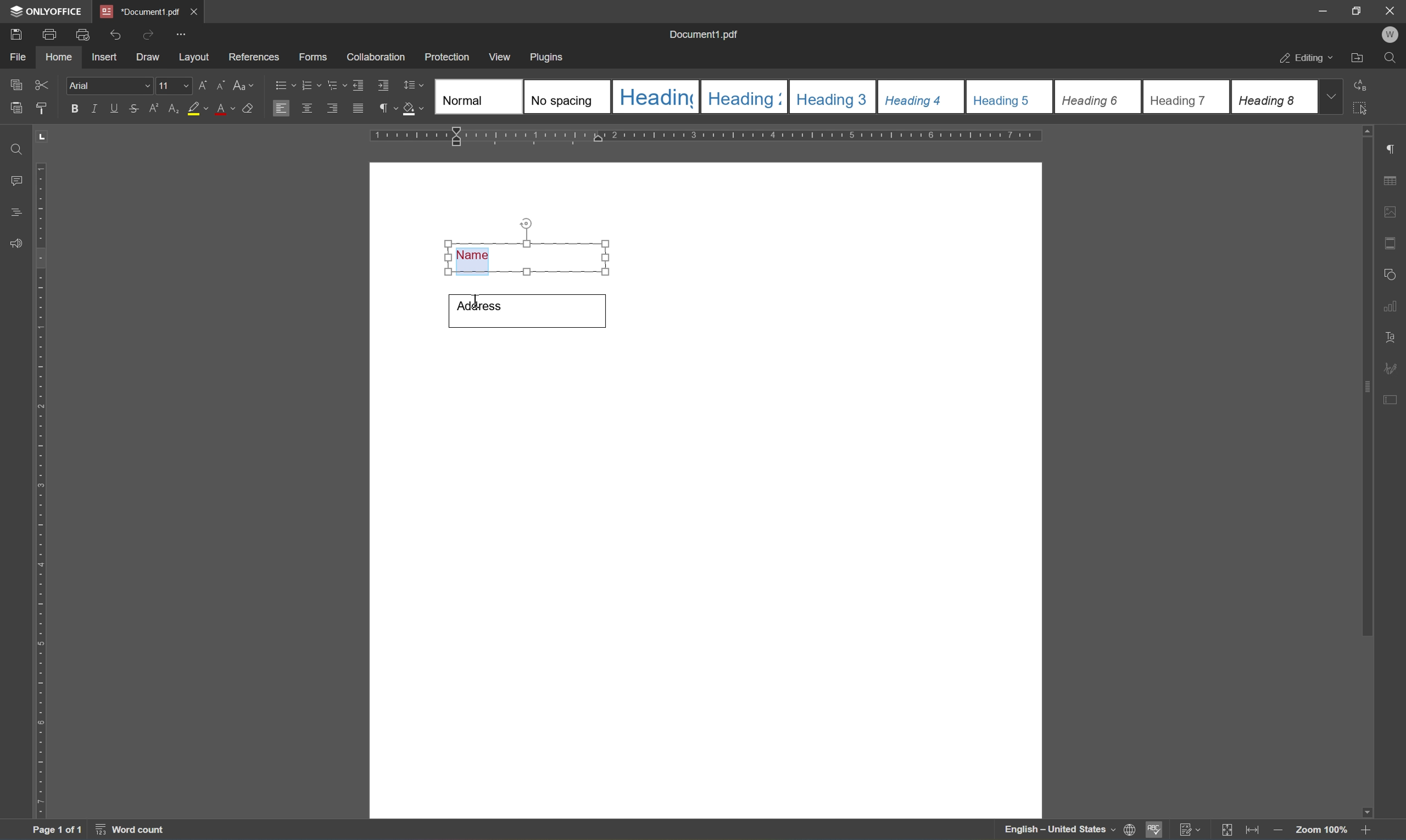  What do you see at coordinates (114, 33) in the screenshot?
I see `undo` at bounding box center [114, 33].